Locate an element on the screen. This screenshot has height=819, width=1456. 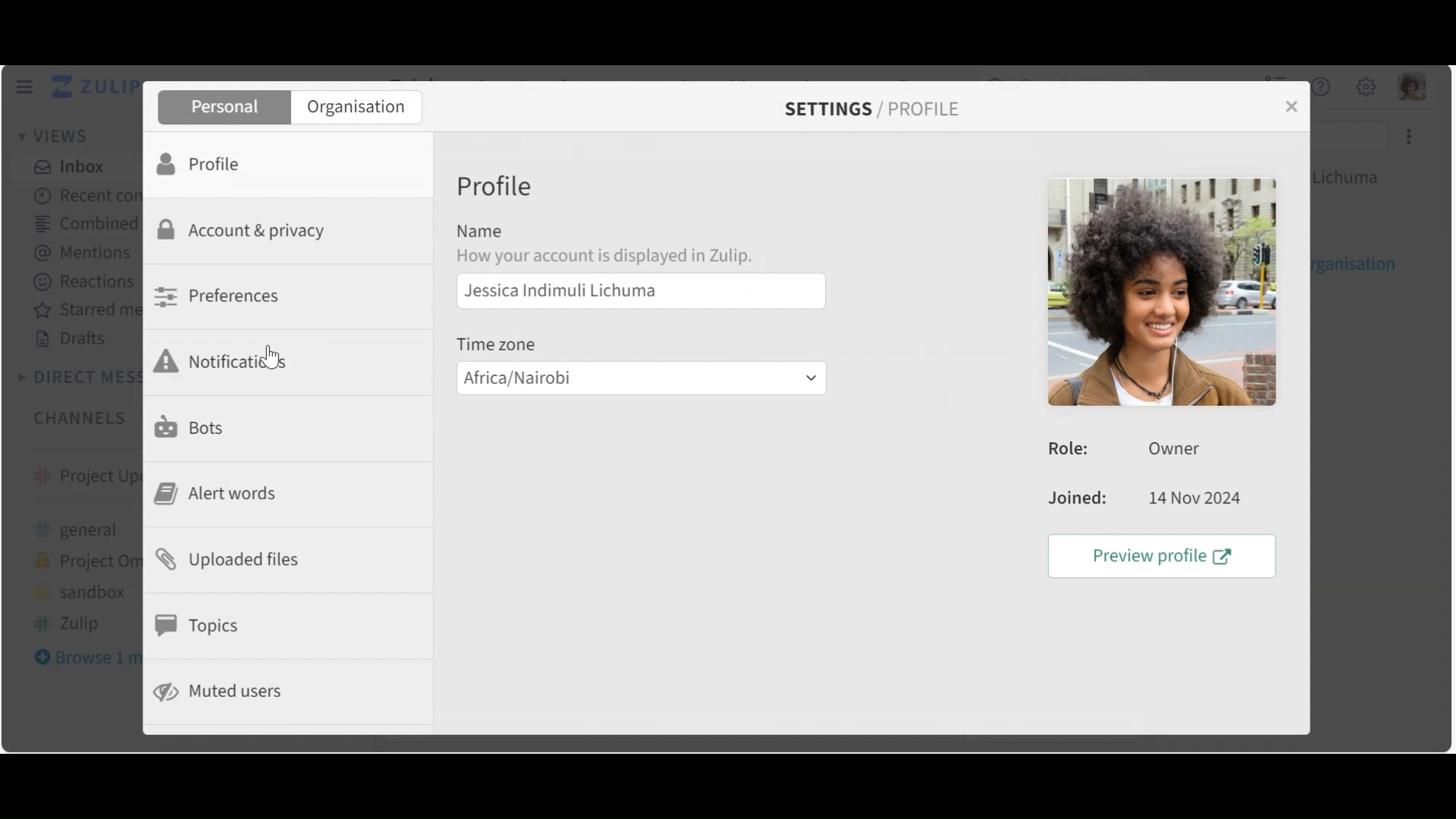
Time zone is located at coordinates (504, 344).